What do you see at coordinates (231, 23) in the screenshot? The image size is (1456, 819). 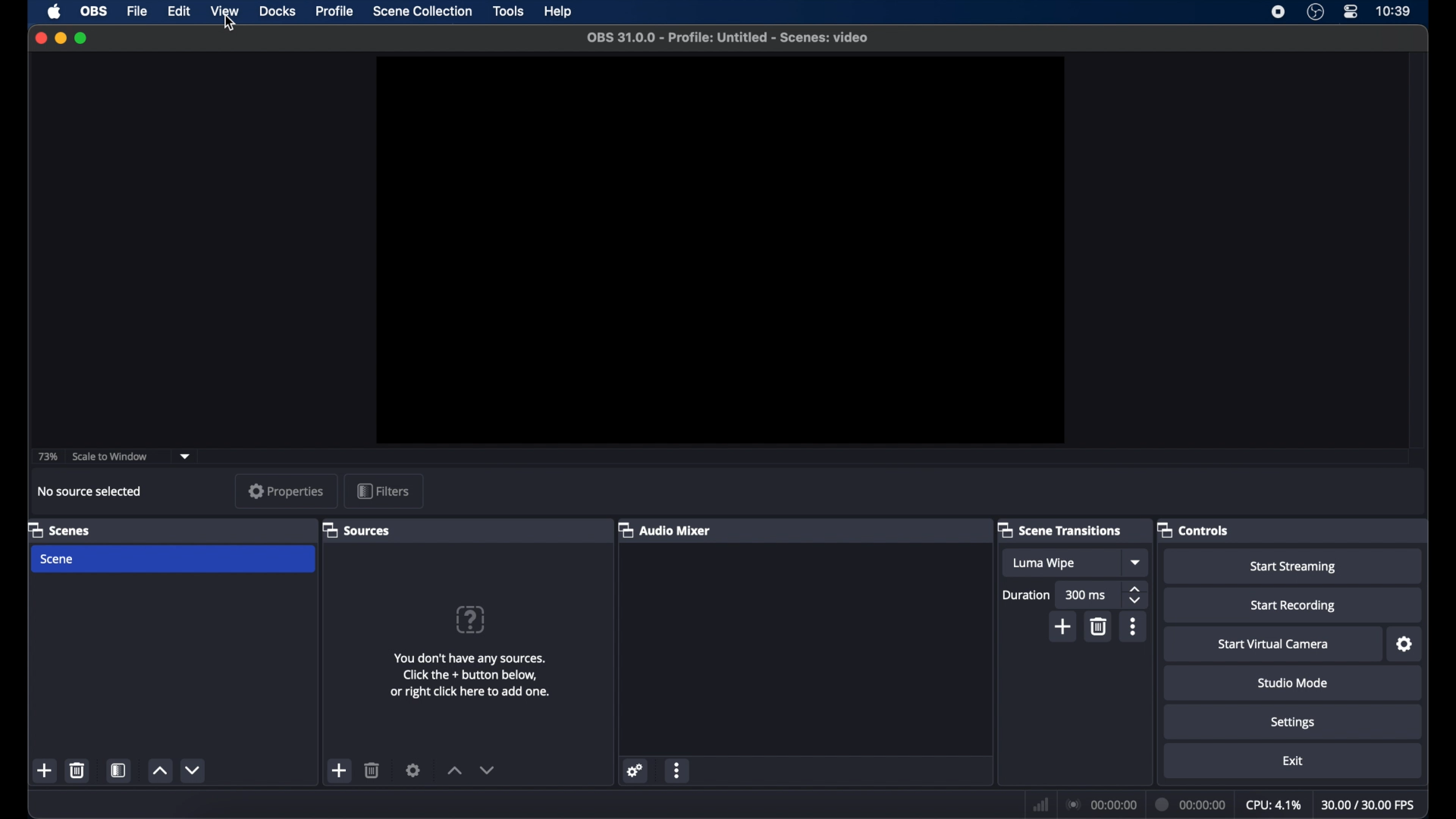 I see `cursor` at bounding box center [231, 23].